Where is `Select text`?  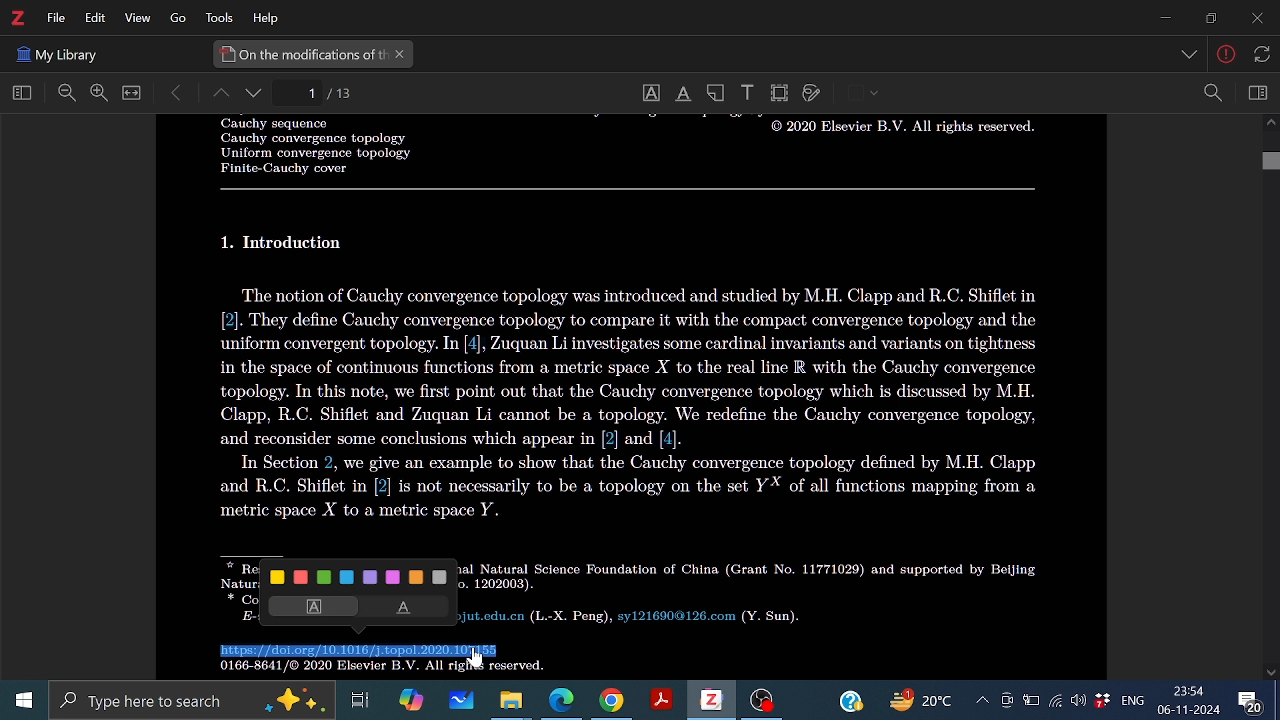
Select text is located at coordinates (650, 93).